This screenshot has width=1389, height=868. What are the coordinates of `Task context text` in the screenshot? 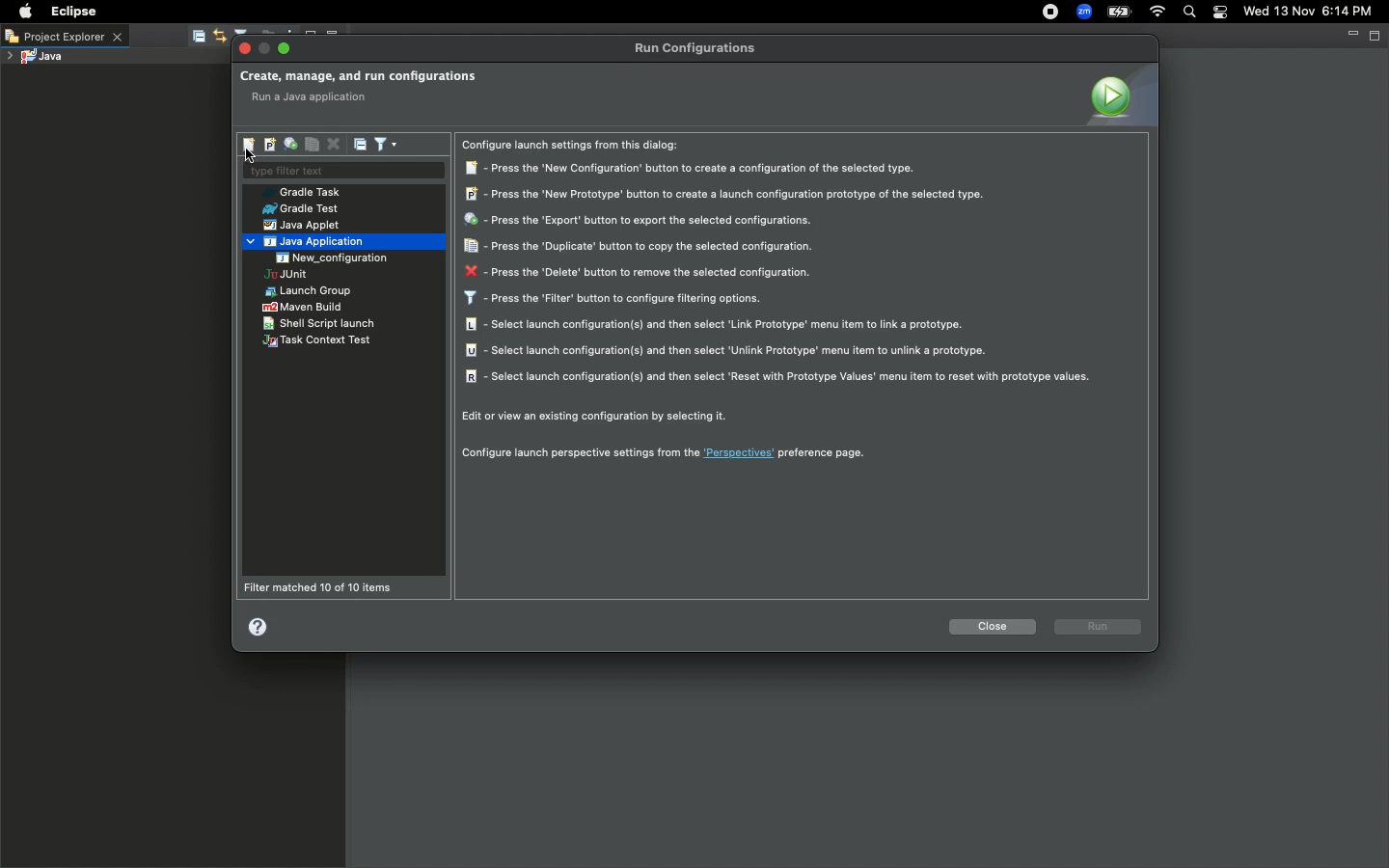 It's located at (319, 340).